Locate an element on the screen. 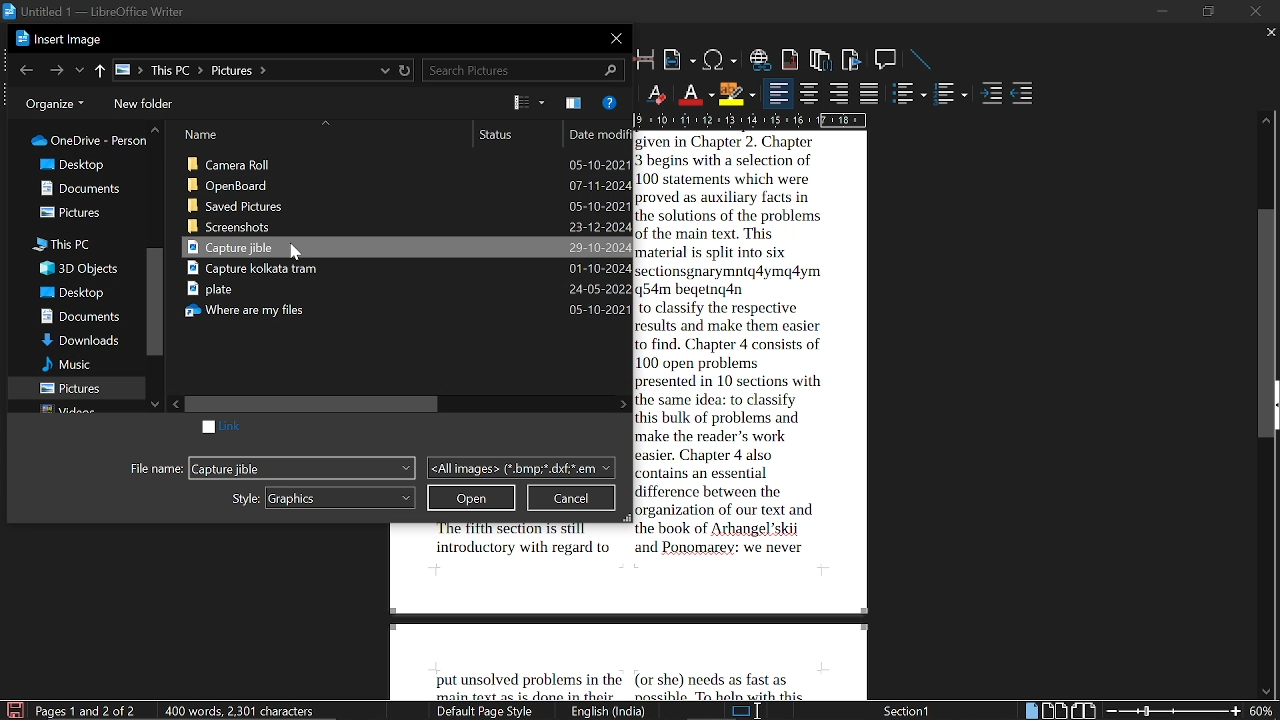 This screenshot has width=1280, height=720. music is located at coordinates (79, 364).